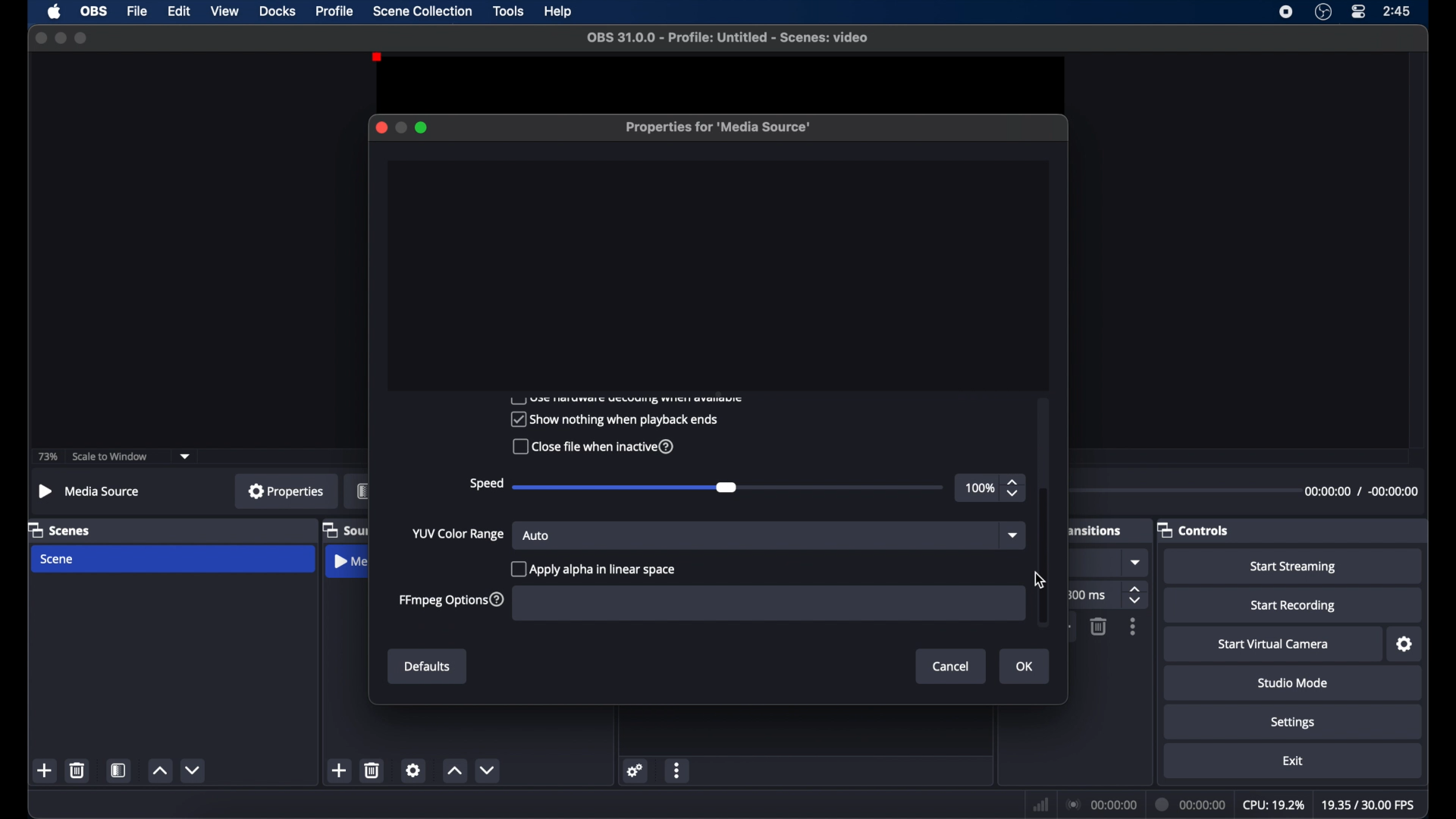  I want to click on dropdown, so click(1137, 563).